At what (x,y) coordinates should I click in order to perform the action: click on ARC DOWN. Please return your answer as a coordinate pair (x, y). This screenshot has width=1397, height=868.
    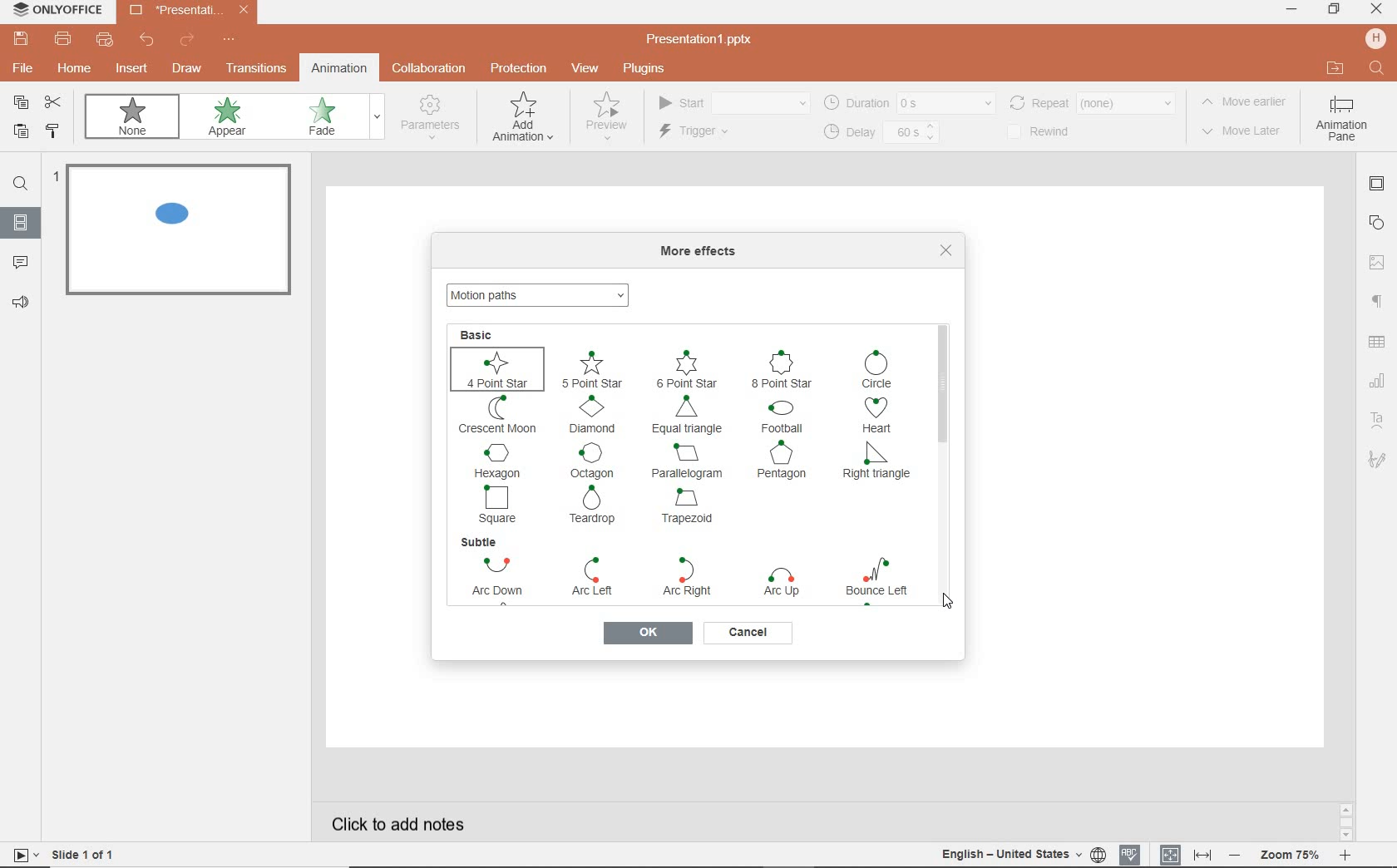
    Looking at the image, I should click on (491, 579).